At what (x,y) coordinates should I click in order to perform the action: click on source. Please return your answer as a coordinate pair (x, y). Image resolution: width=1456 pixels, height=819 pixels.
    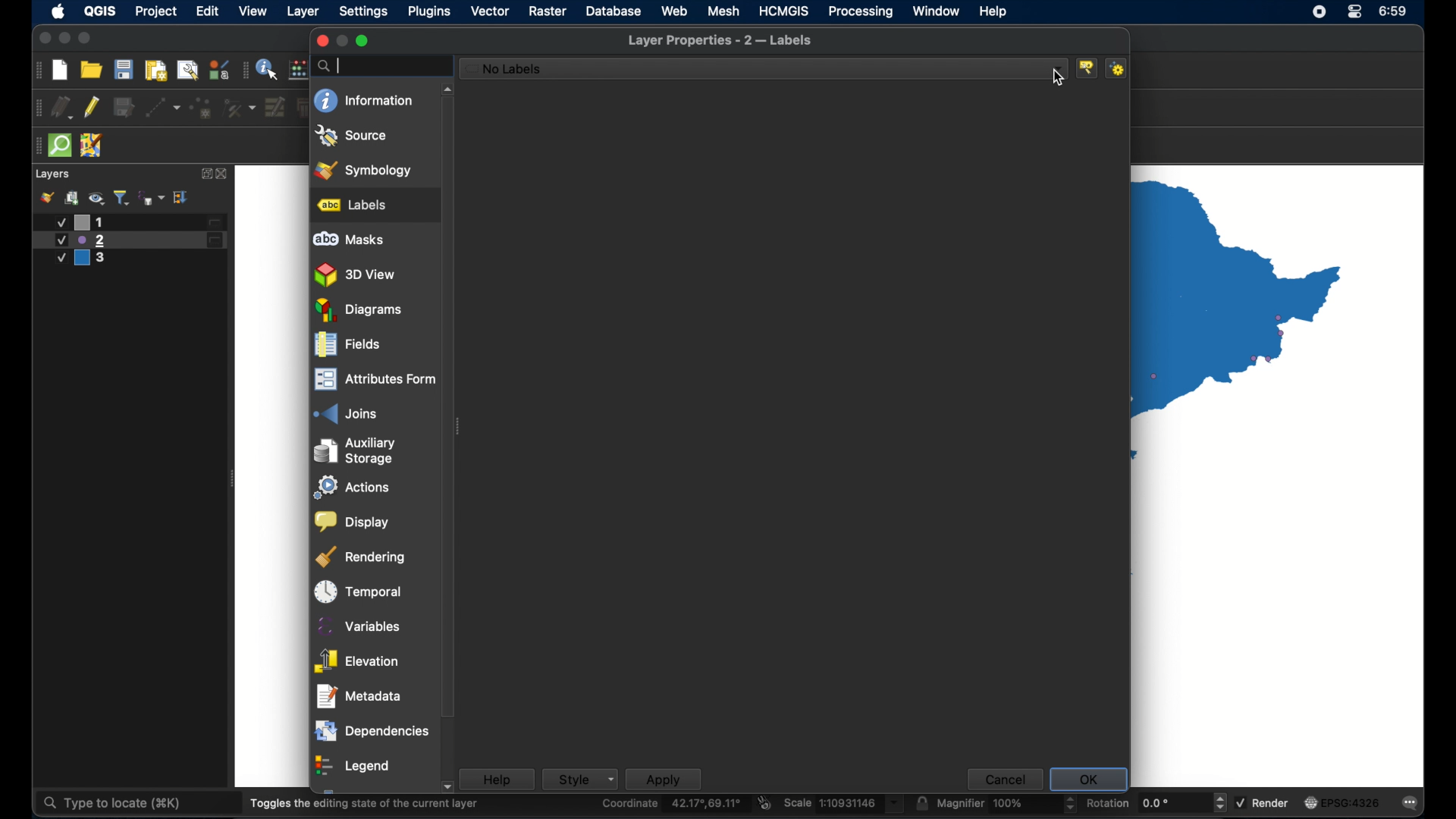
    Looking at the image, I should click on (352, 136).